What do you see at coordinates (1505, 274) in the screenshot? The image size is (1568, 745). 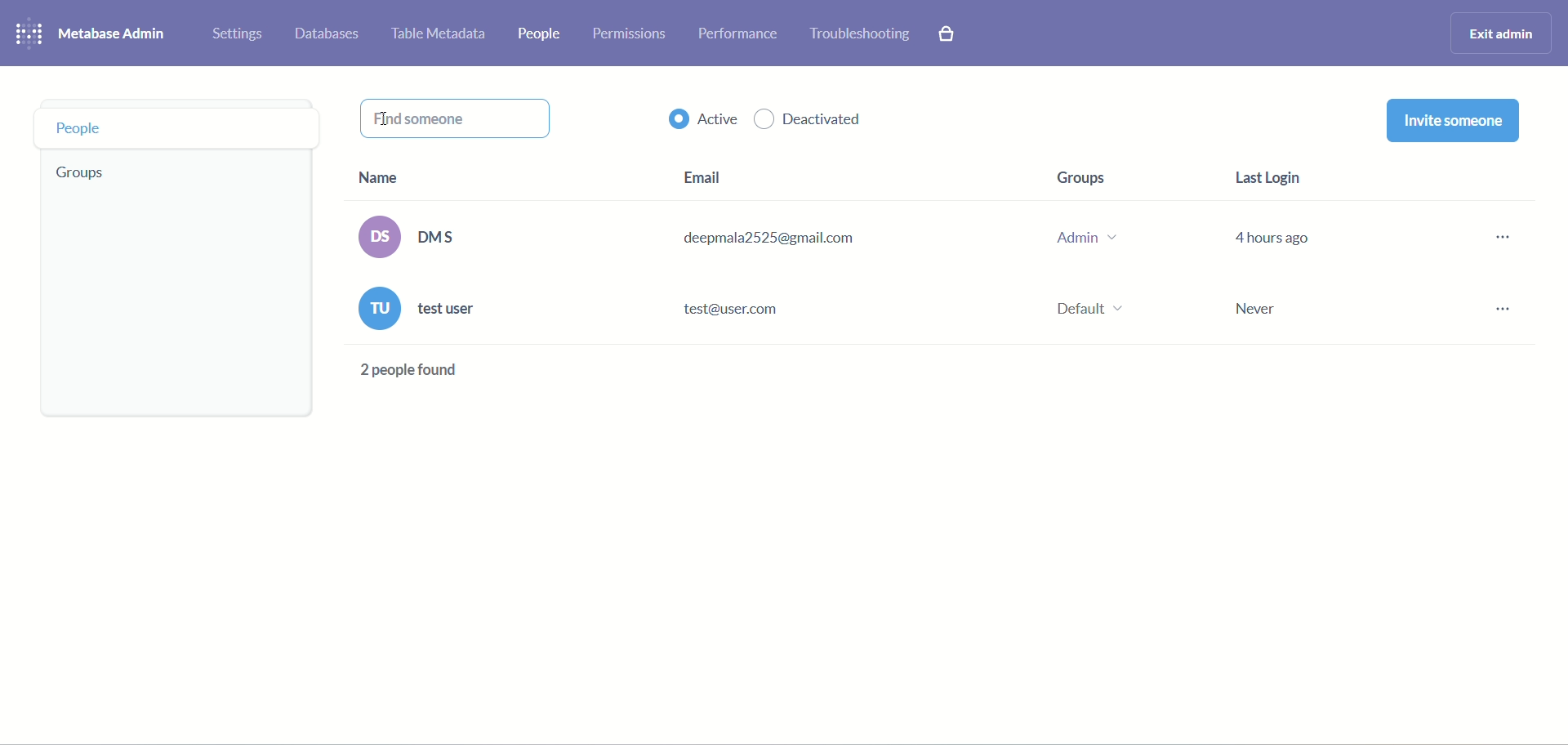 I see `options` at bounding box center [1505, 274].